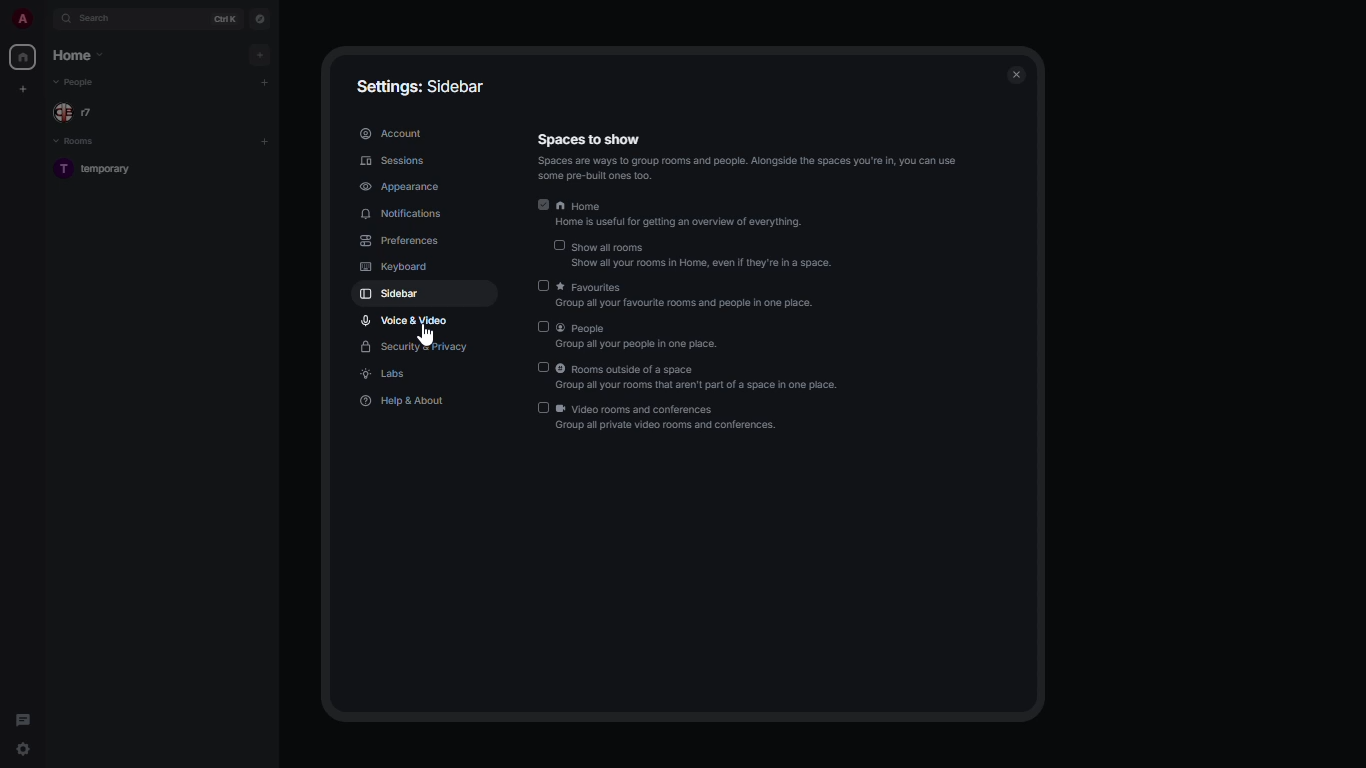 The height and width of the screenshot is (768, 1366). Describe the element at coordinates (542, 327) in the screenshot. I see `disabled` at that location.